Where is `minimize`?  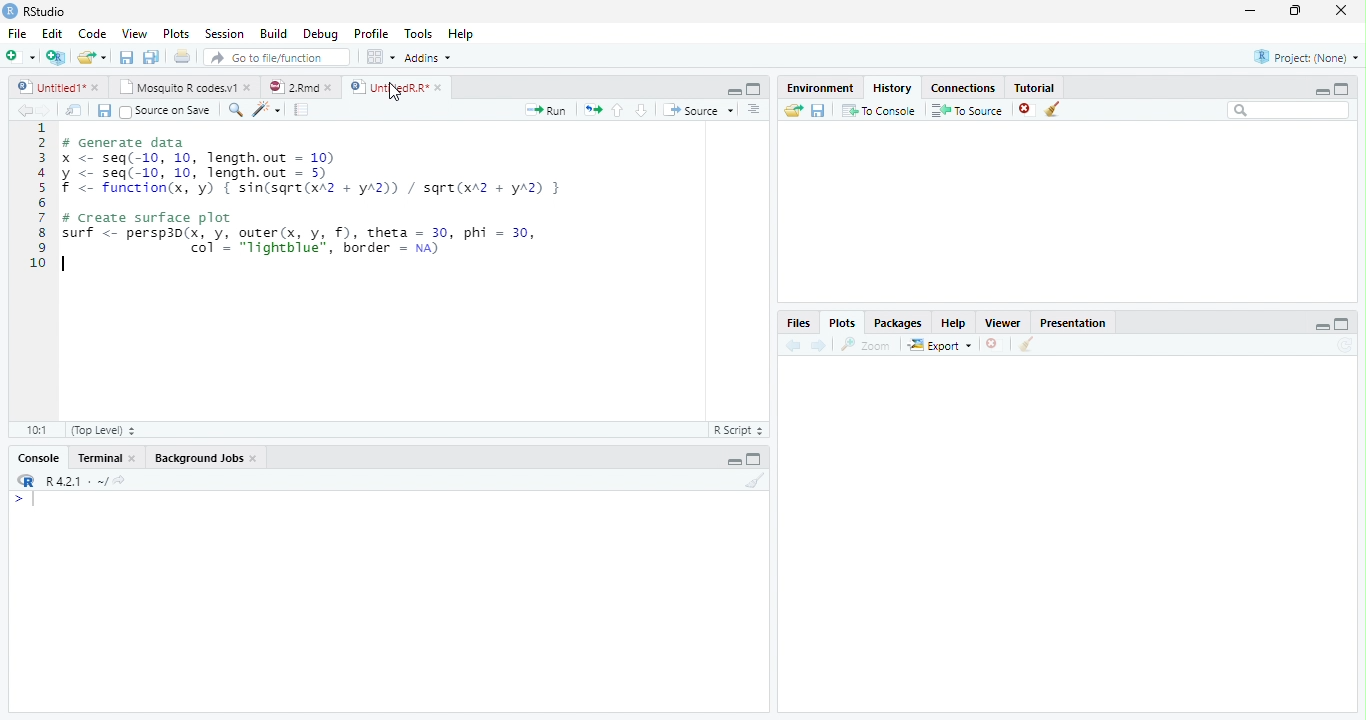
minimize is located at coordinates (1250, 10).